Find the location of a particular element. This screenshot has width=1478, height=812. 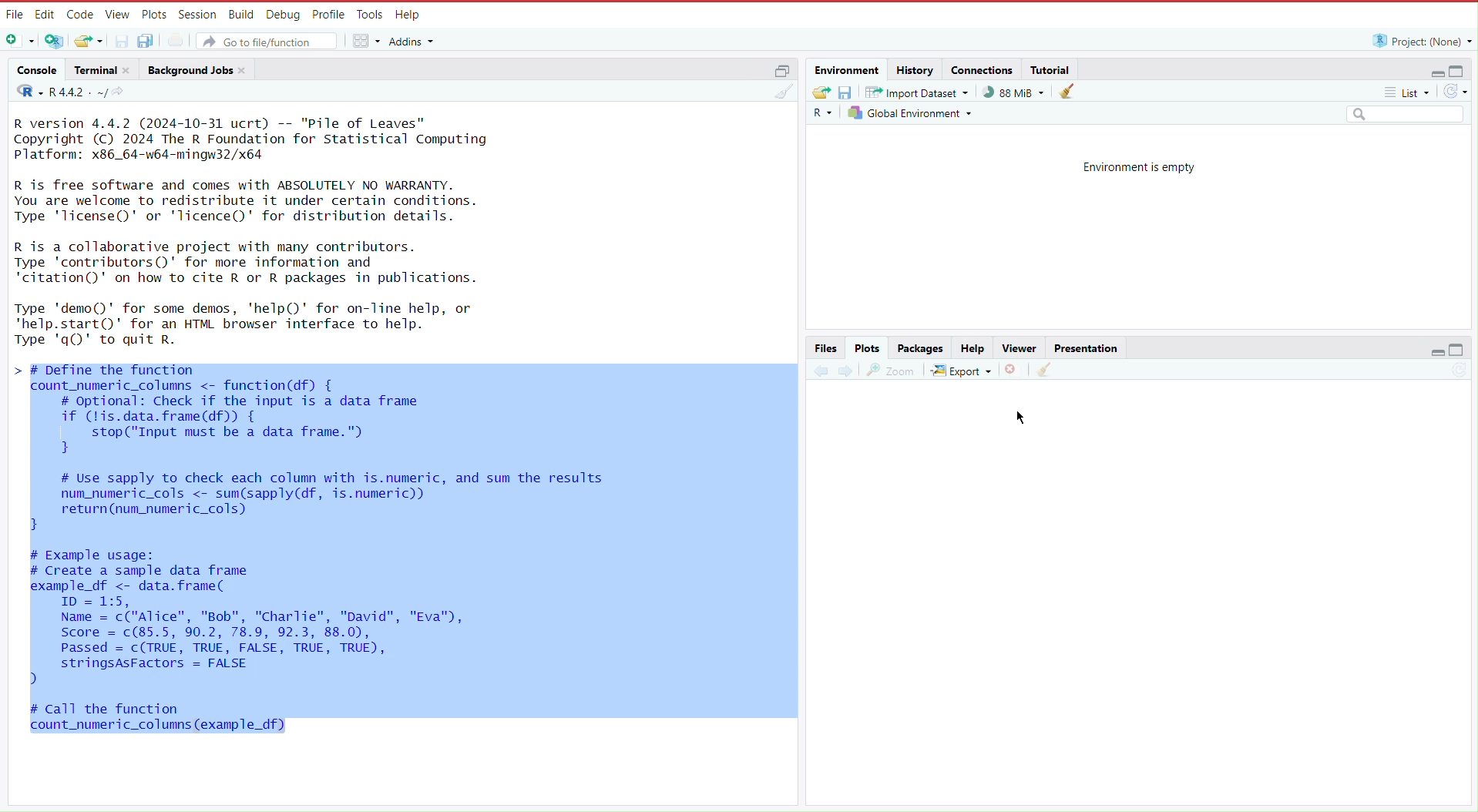

Environment is located at coordinates (849, 70).